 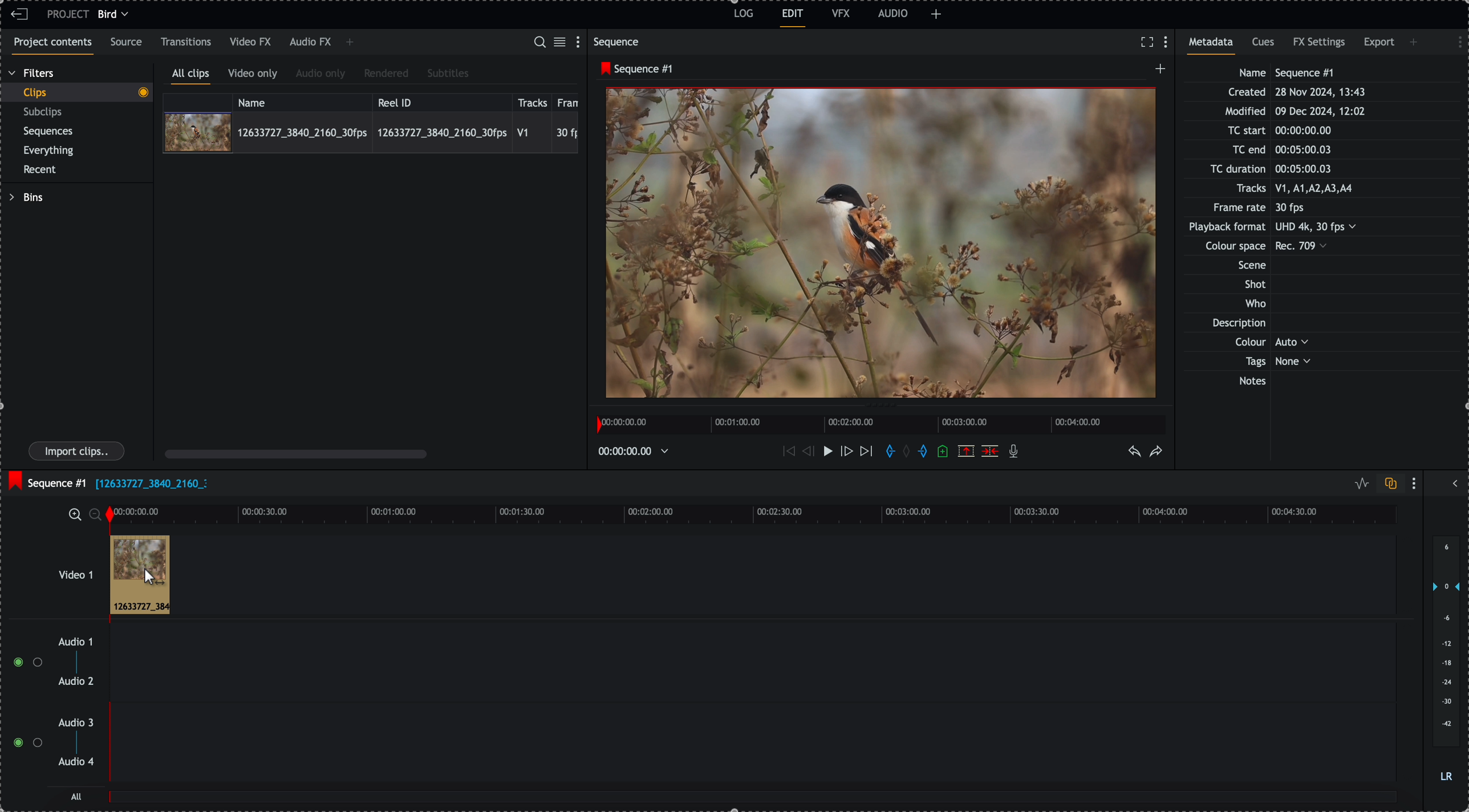 I want to click on , so click(x=47, y=152).